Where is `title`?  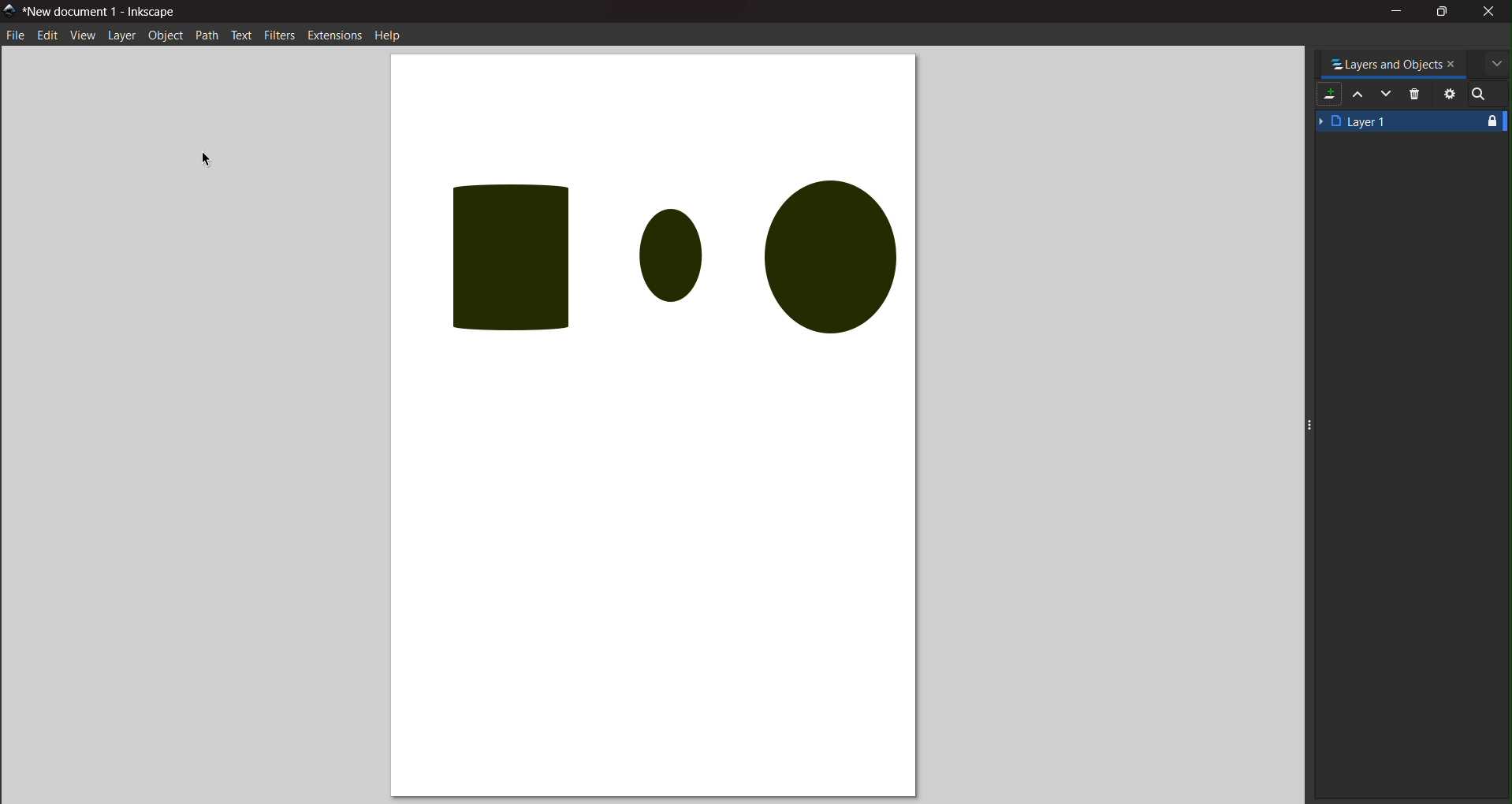 title is located at coordinates (105, 14).